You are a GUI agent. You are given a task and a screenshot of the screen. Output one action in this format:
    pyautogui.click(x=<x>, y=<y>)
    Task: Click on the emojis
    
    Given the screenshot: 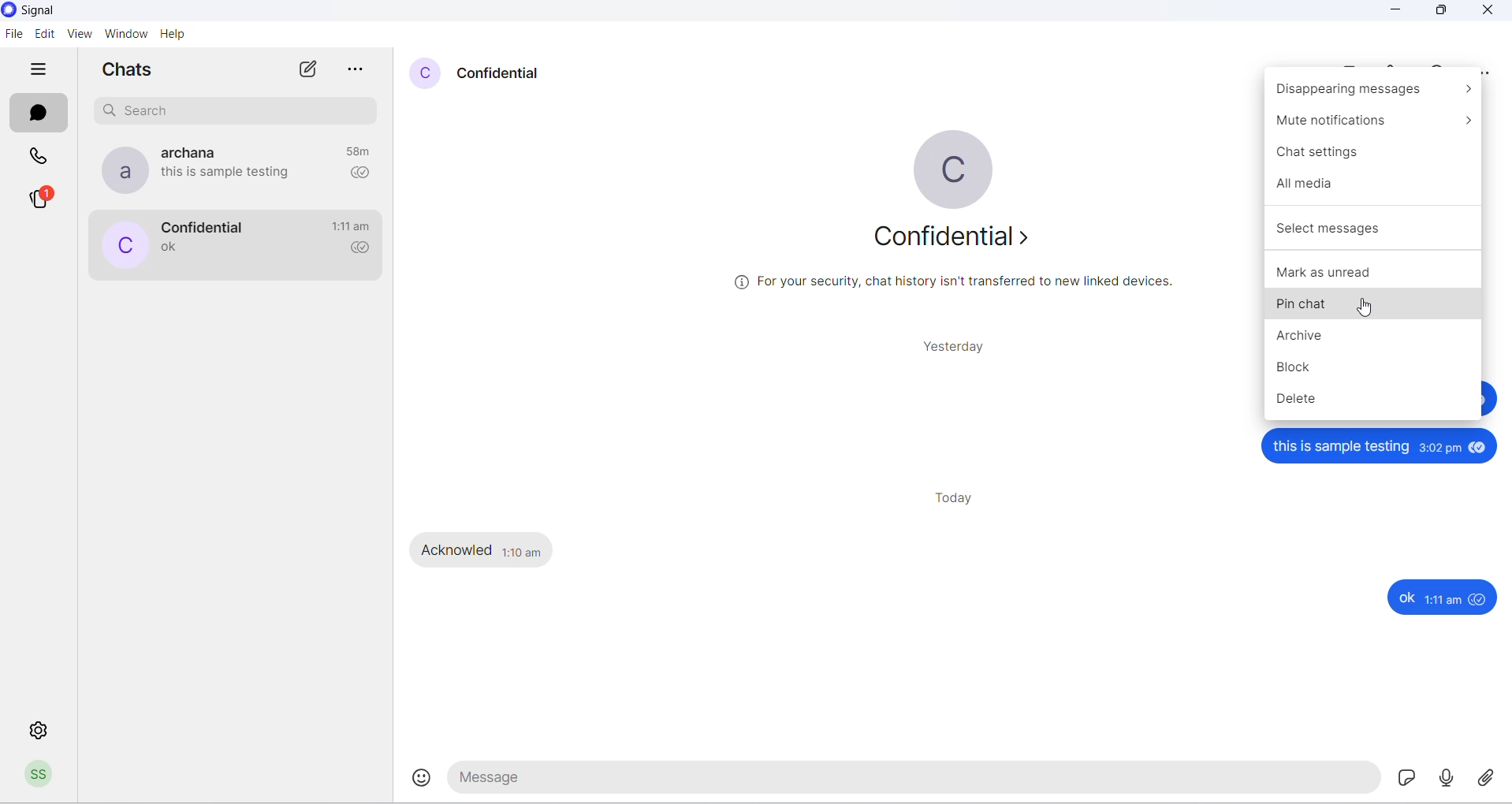 What is the action you would take?
    pyautogui.click(x=425, y=779)
    